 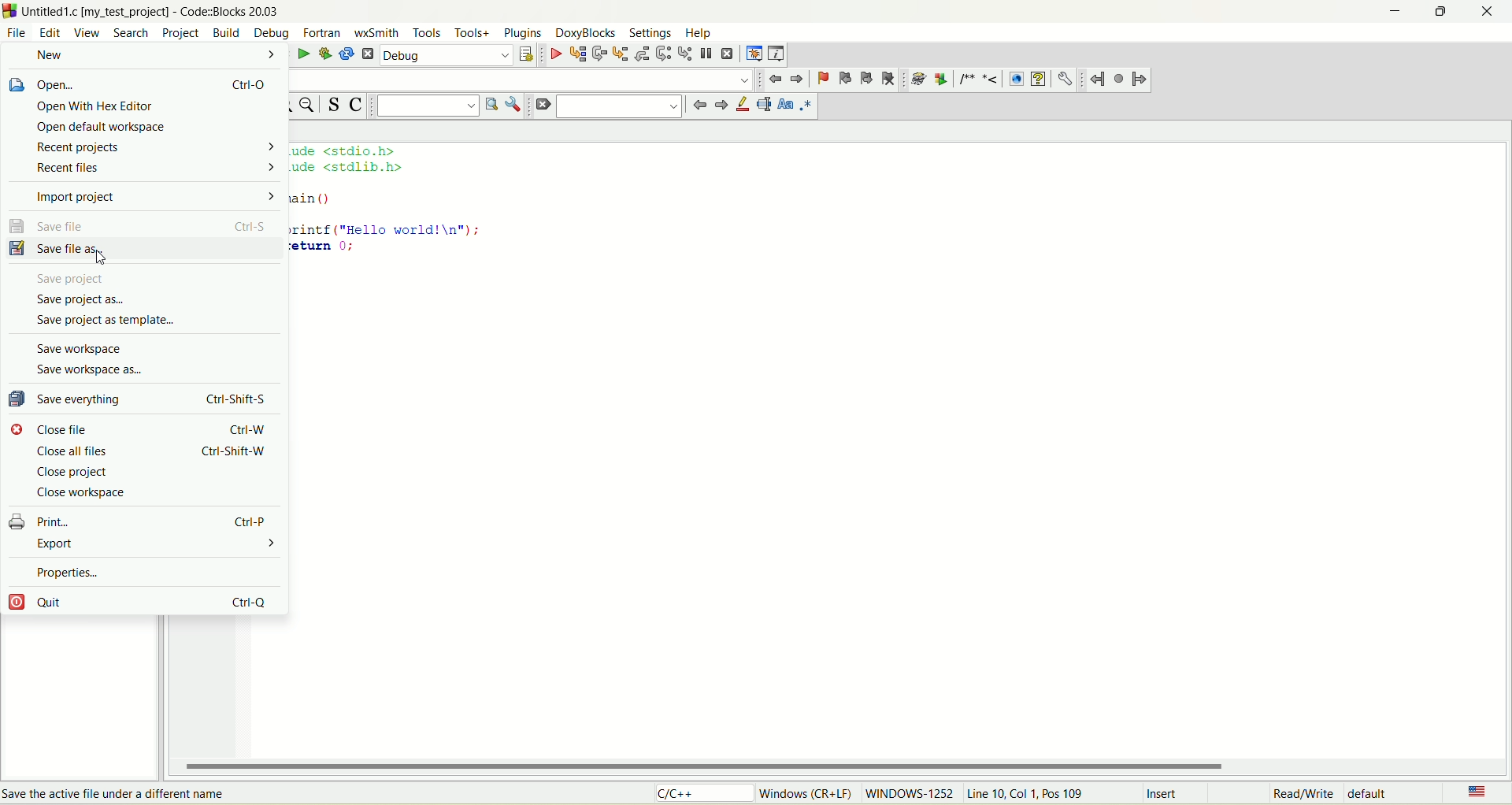 I want to click on HTML, so click(x=1015, y=80).